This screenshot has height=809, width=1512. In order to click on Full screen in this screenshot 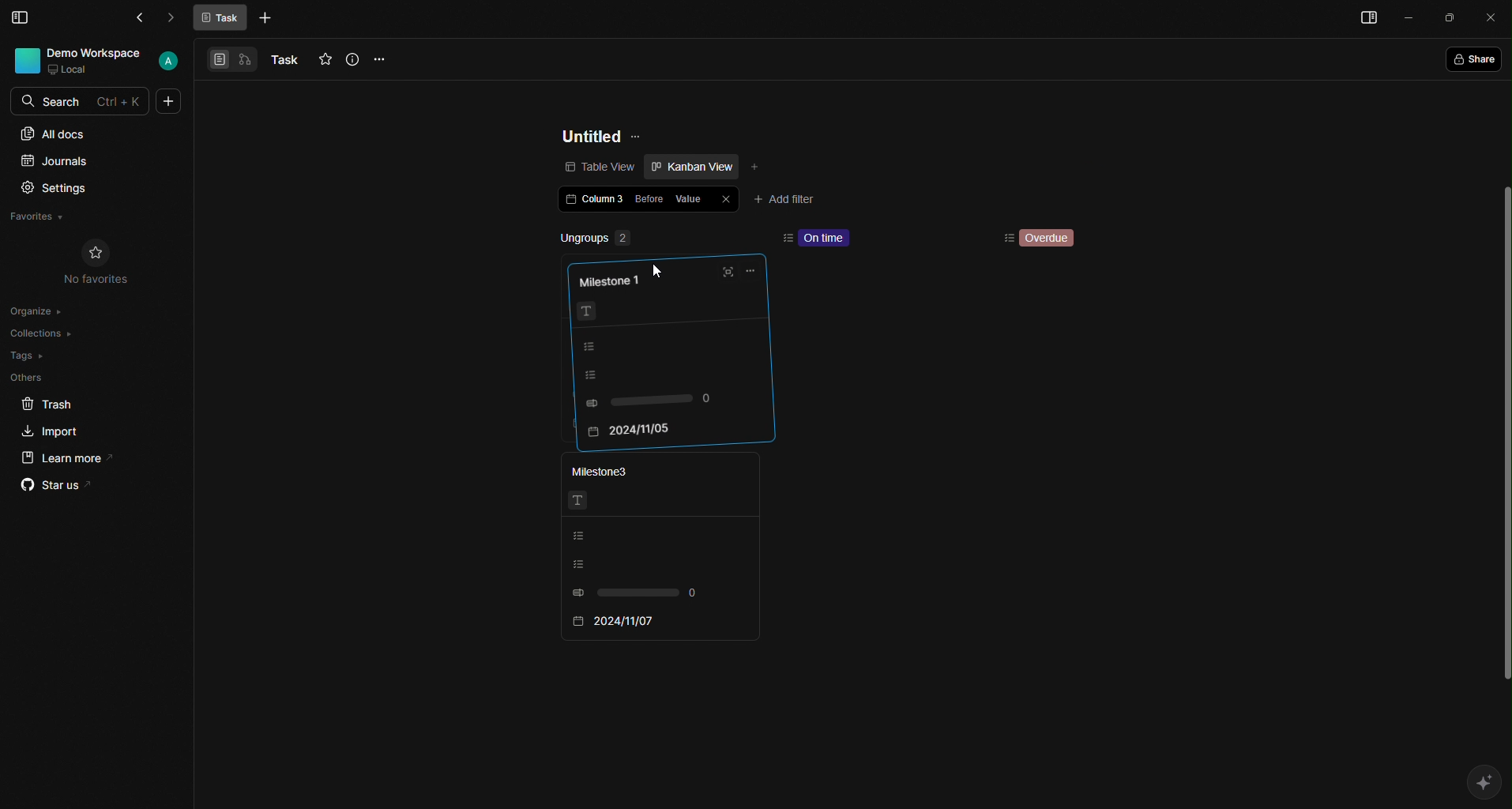, I will do `click(722, 272)`.